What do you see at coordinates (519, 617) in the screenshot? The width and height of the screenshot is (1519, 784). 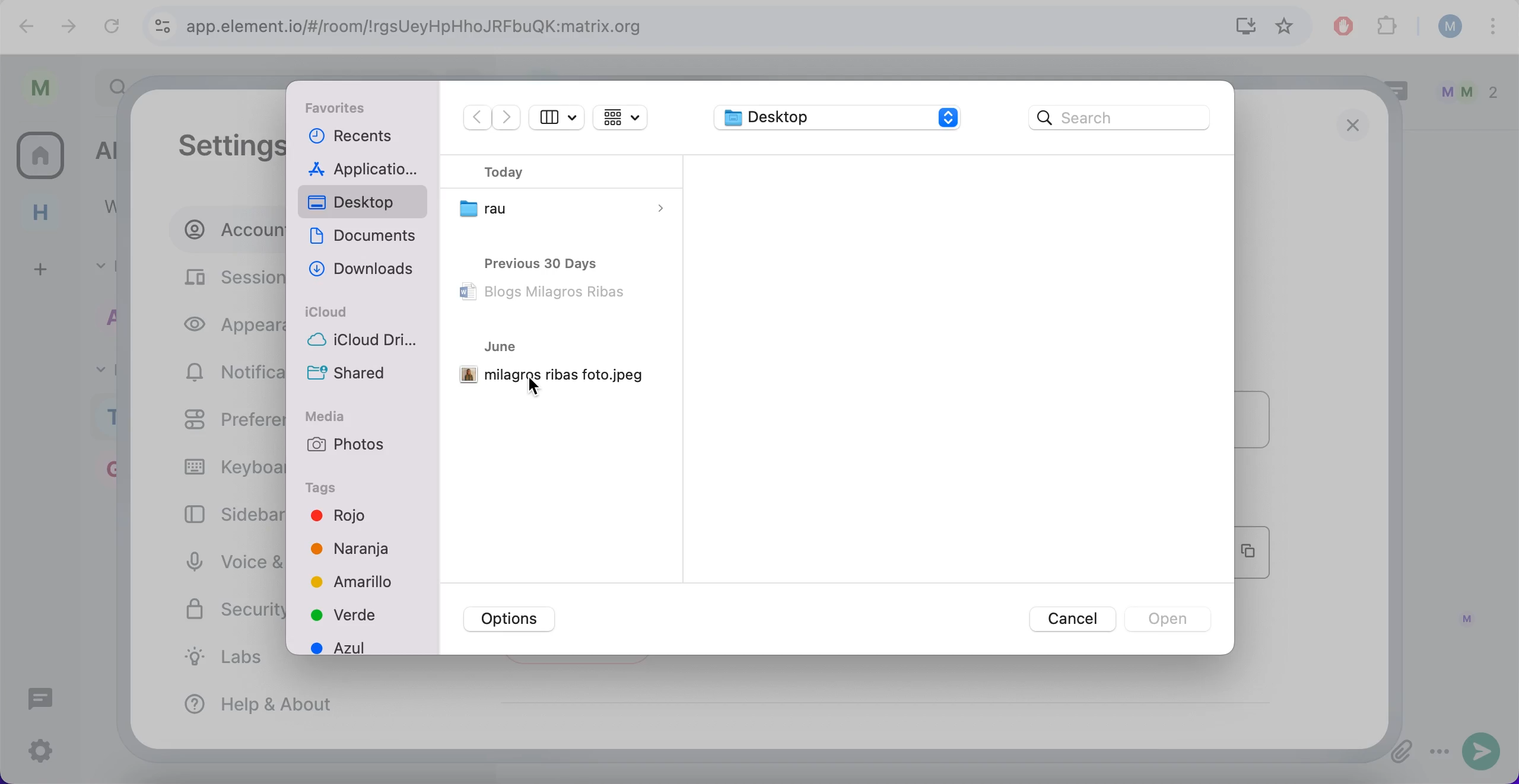 I see `options` at bounding box center [519, 617].